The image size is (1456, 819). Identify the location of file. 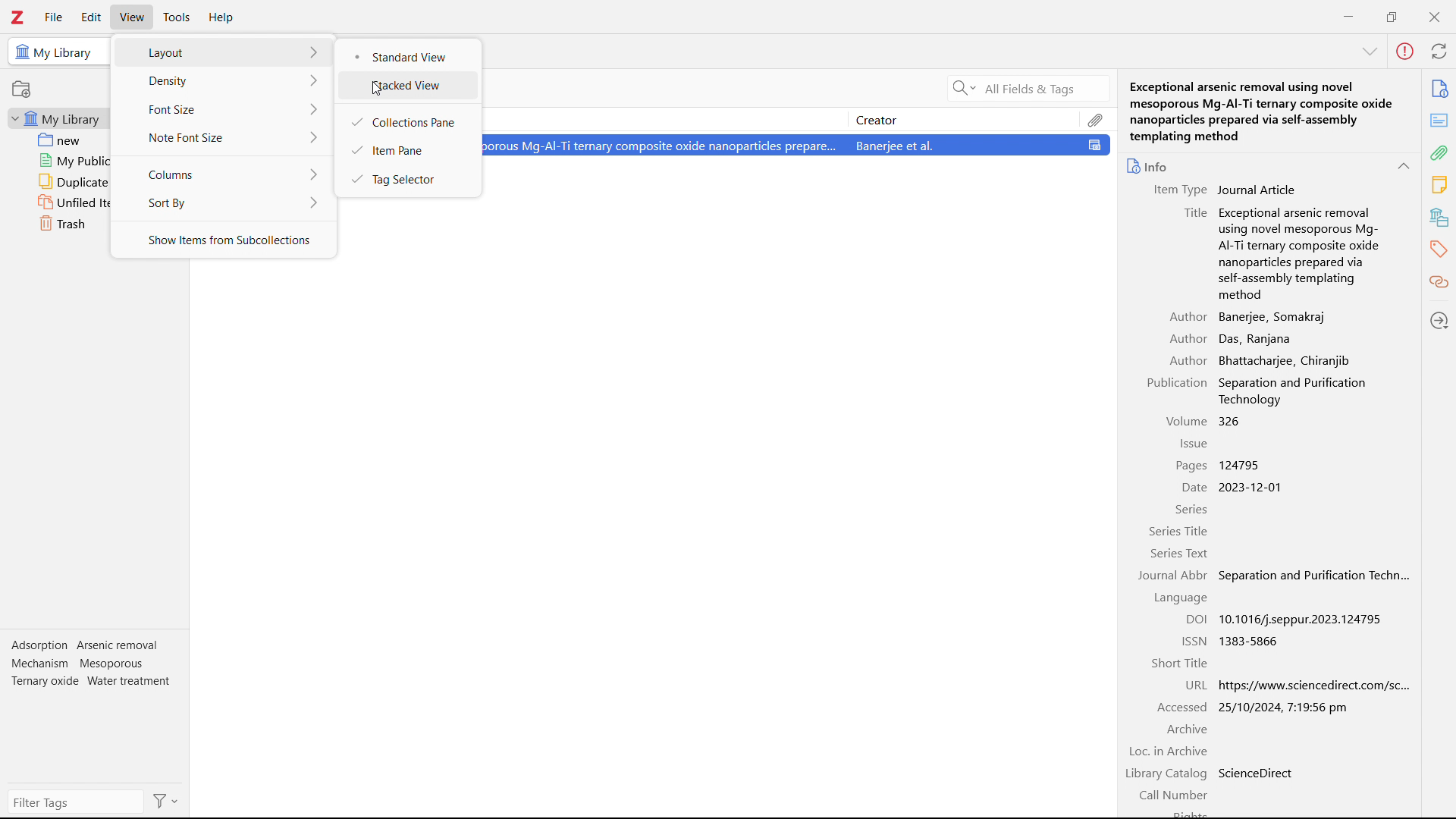
(54, 17).